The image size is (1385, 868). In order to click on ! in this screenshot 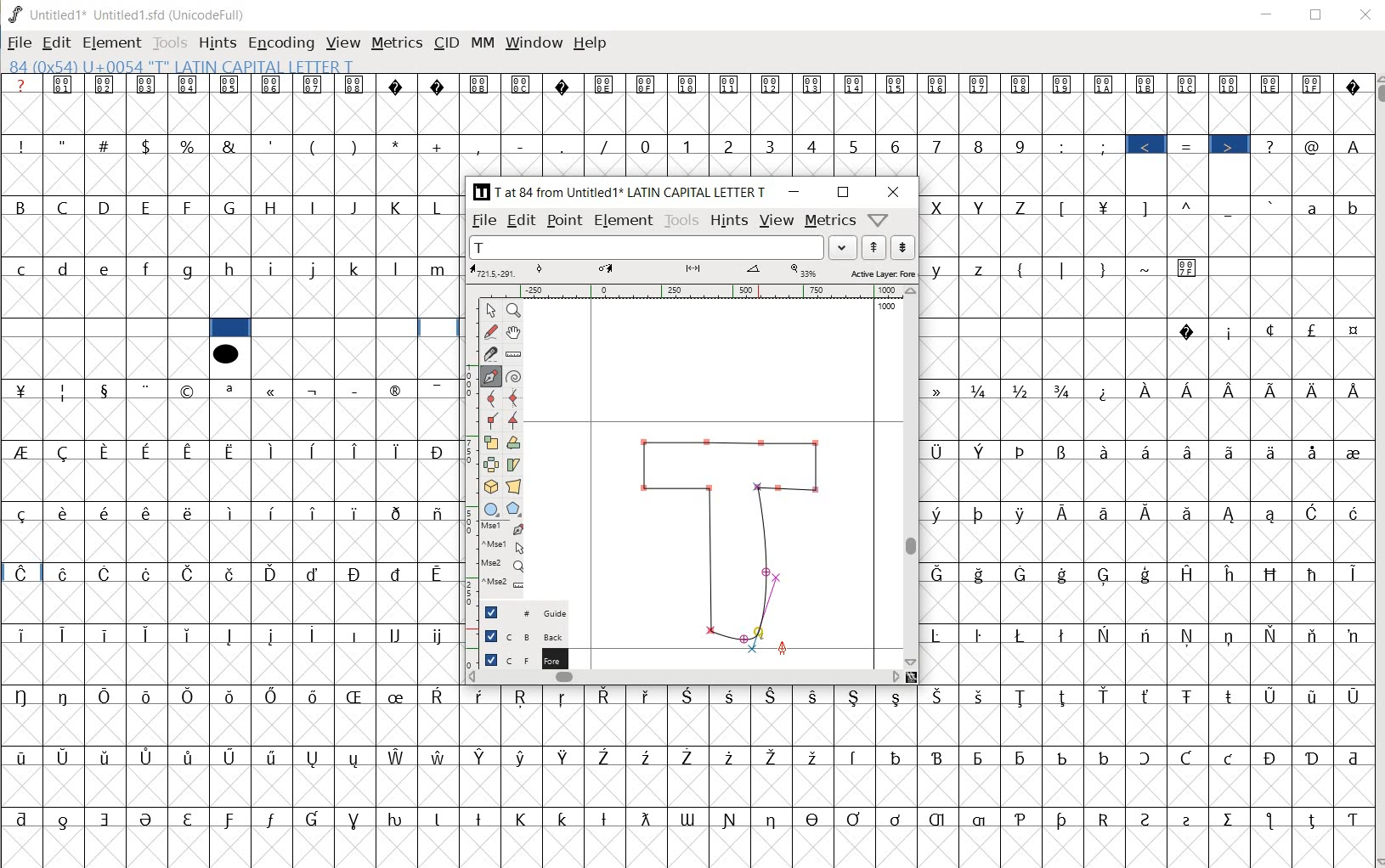, I will do `click(20, 144)`.